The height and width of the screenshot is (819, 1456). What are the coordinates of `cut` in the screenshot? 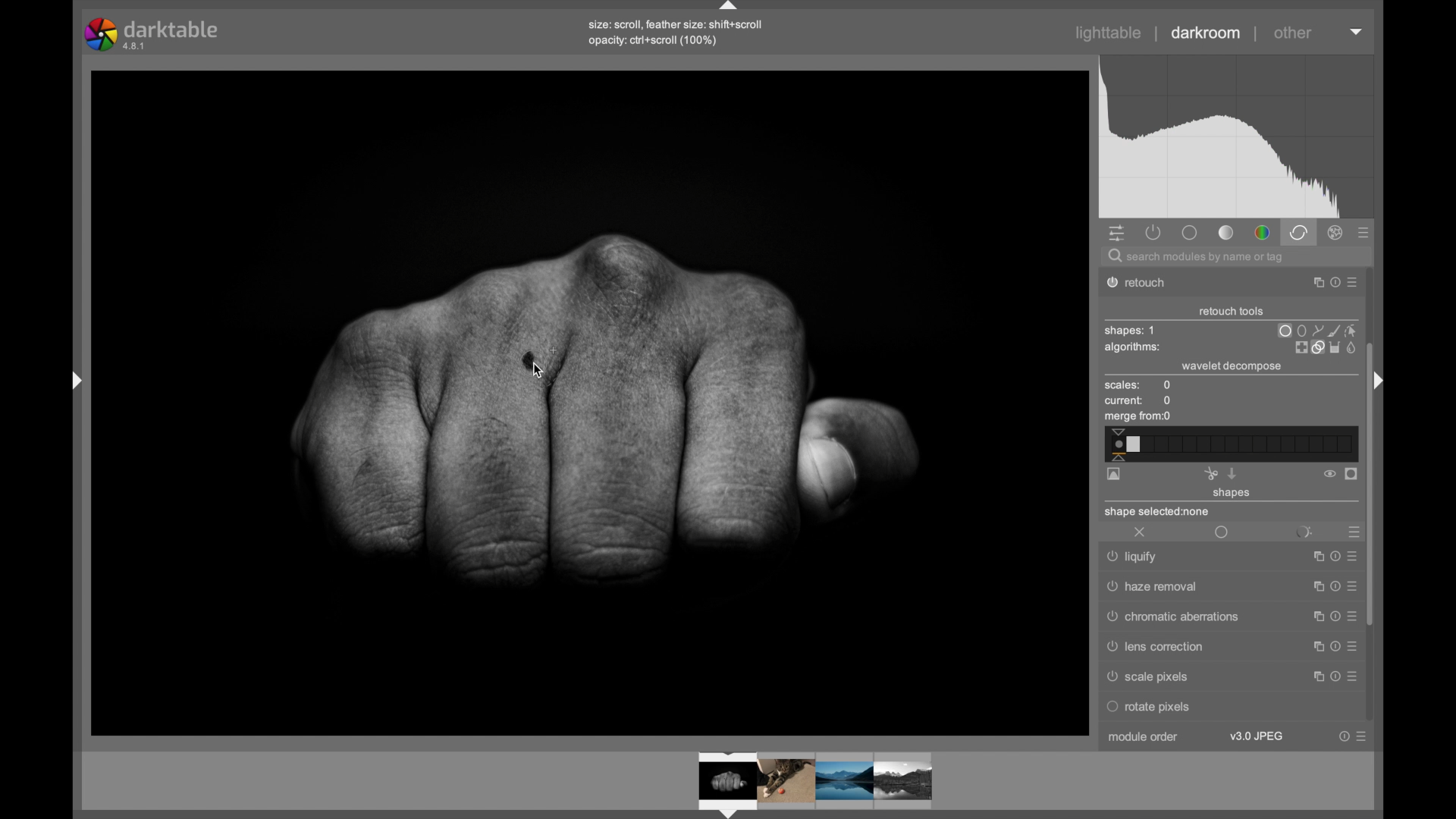 It's located at (1210, 473).